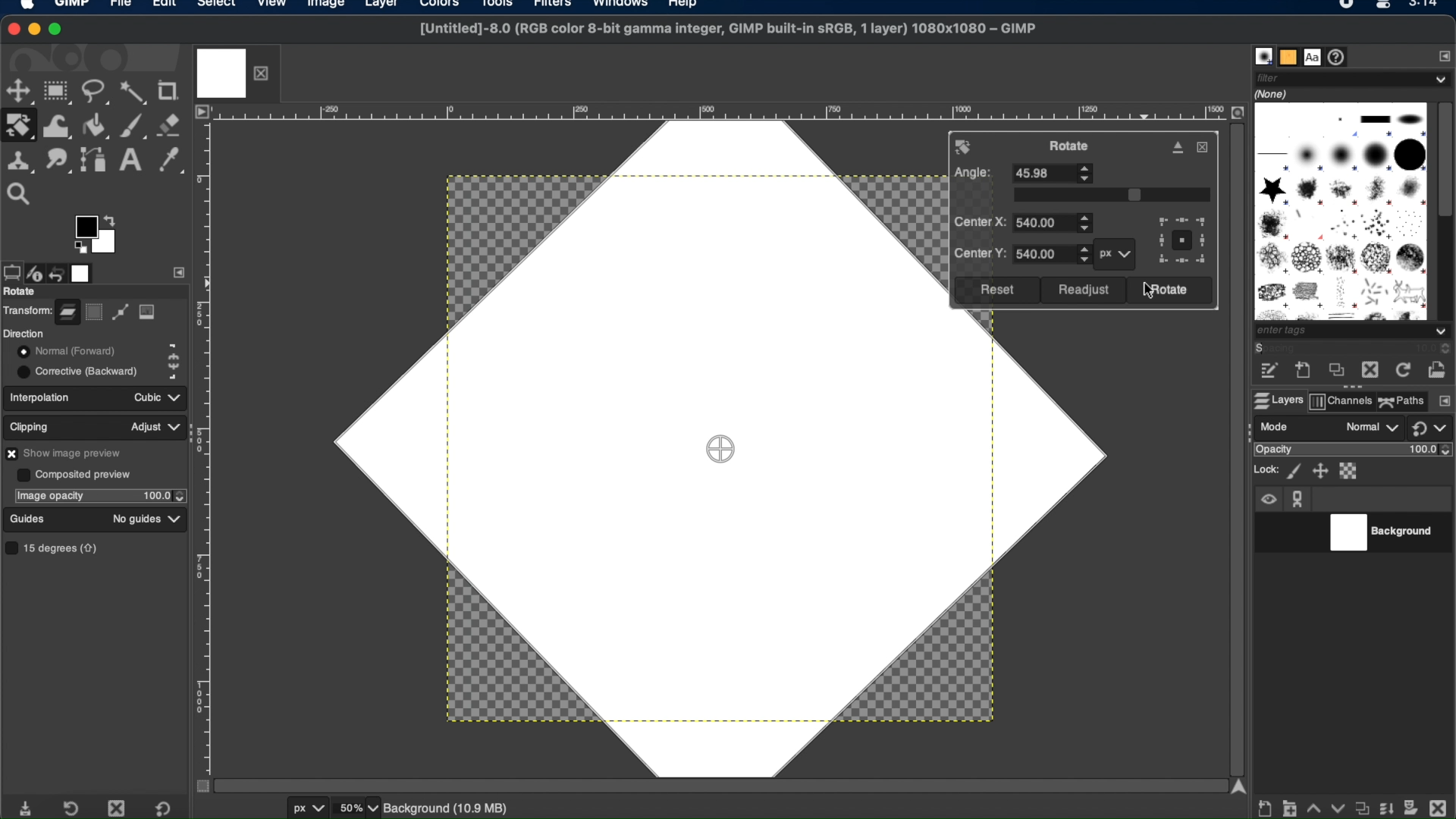  I want to click on none, so click(1274, 93).